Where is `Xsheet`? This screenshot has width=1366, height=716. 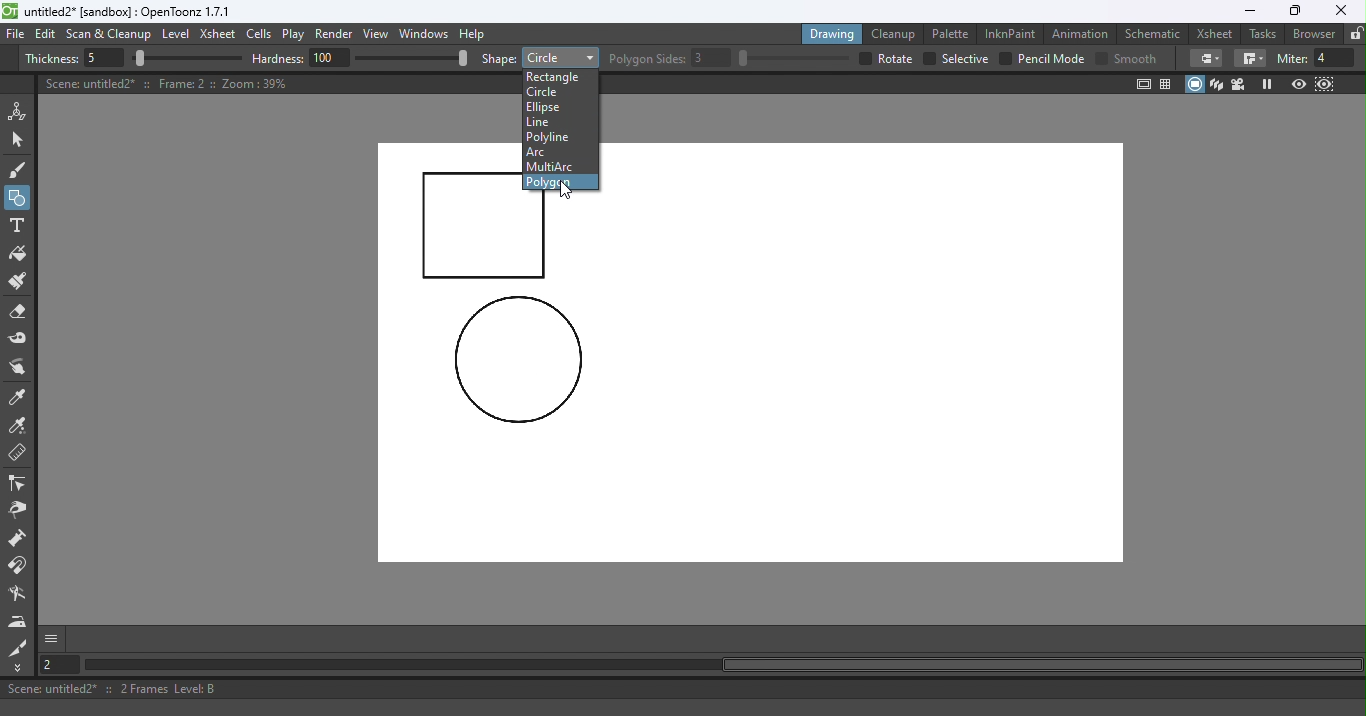
Xsheet is located at coordinates (1217, 33).